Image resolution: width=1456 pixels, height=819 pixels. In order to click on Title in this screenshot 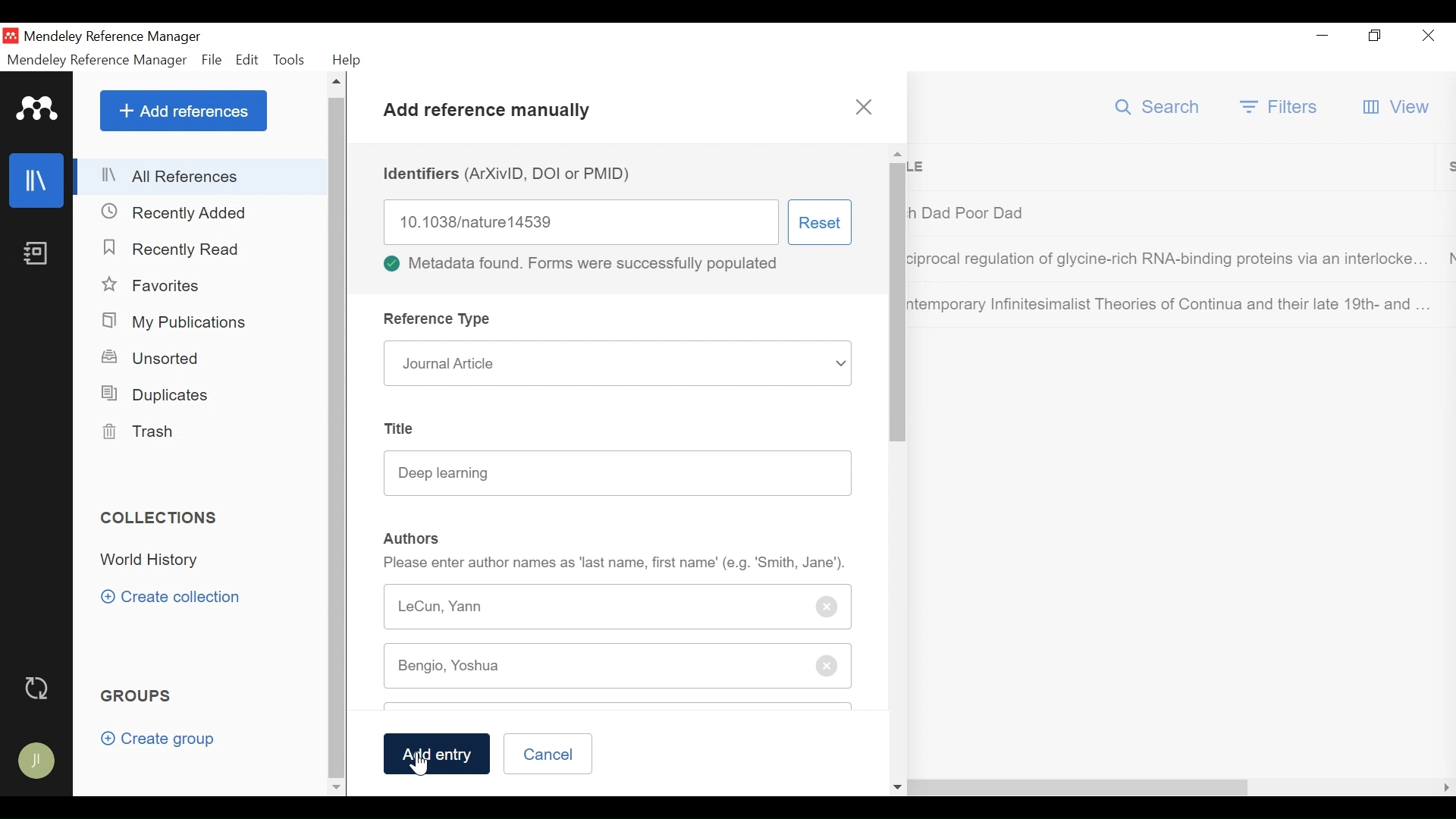, I will do `click(400, 425)`.